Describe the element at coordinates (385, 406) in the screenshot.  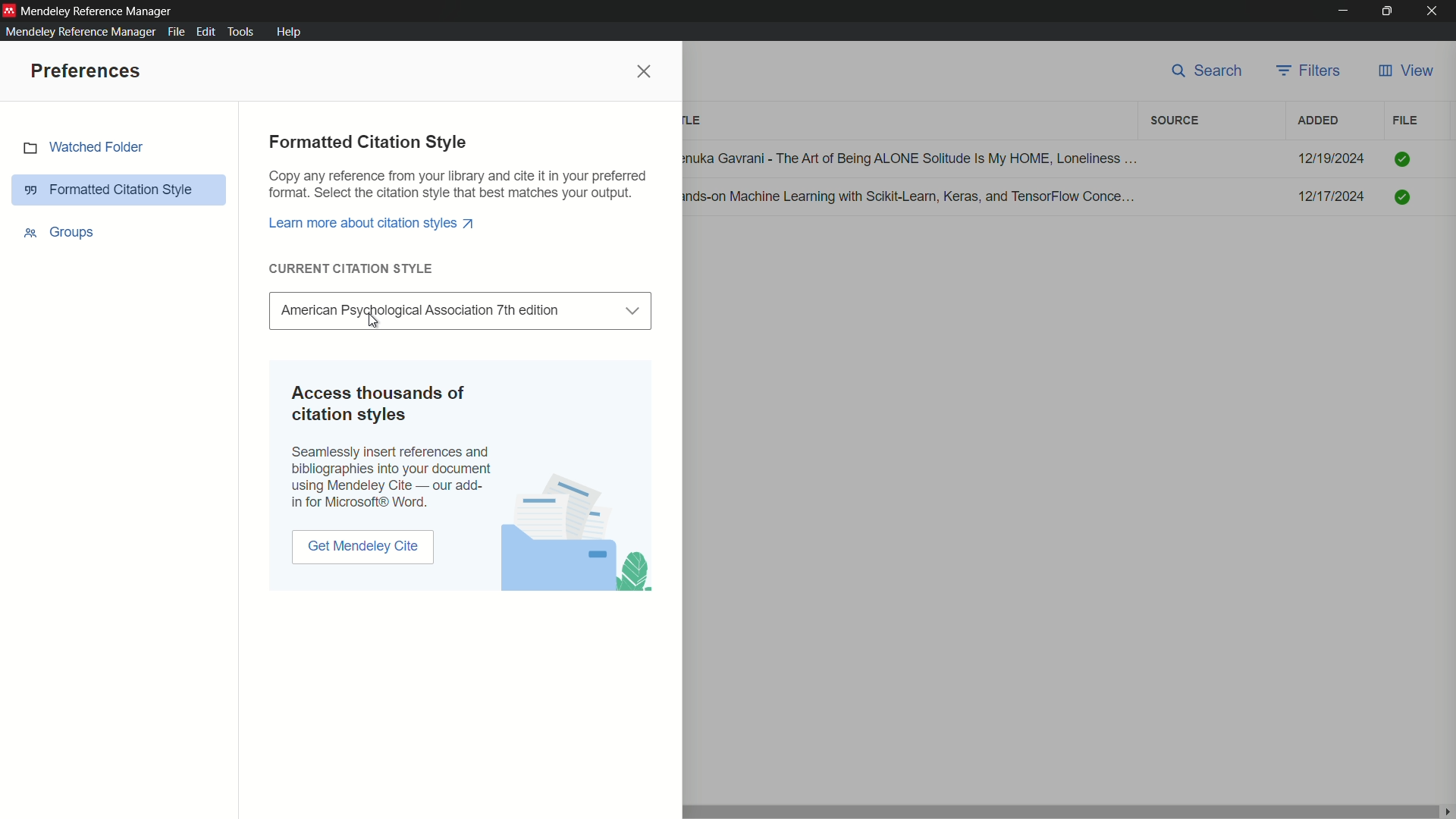
I see `Access thousands of citation styles ` at that location.